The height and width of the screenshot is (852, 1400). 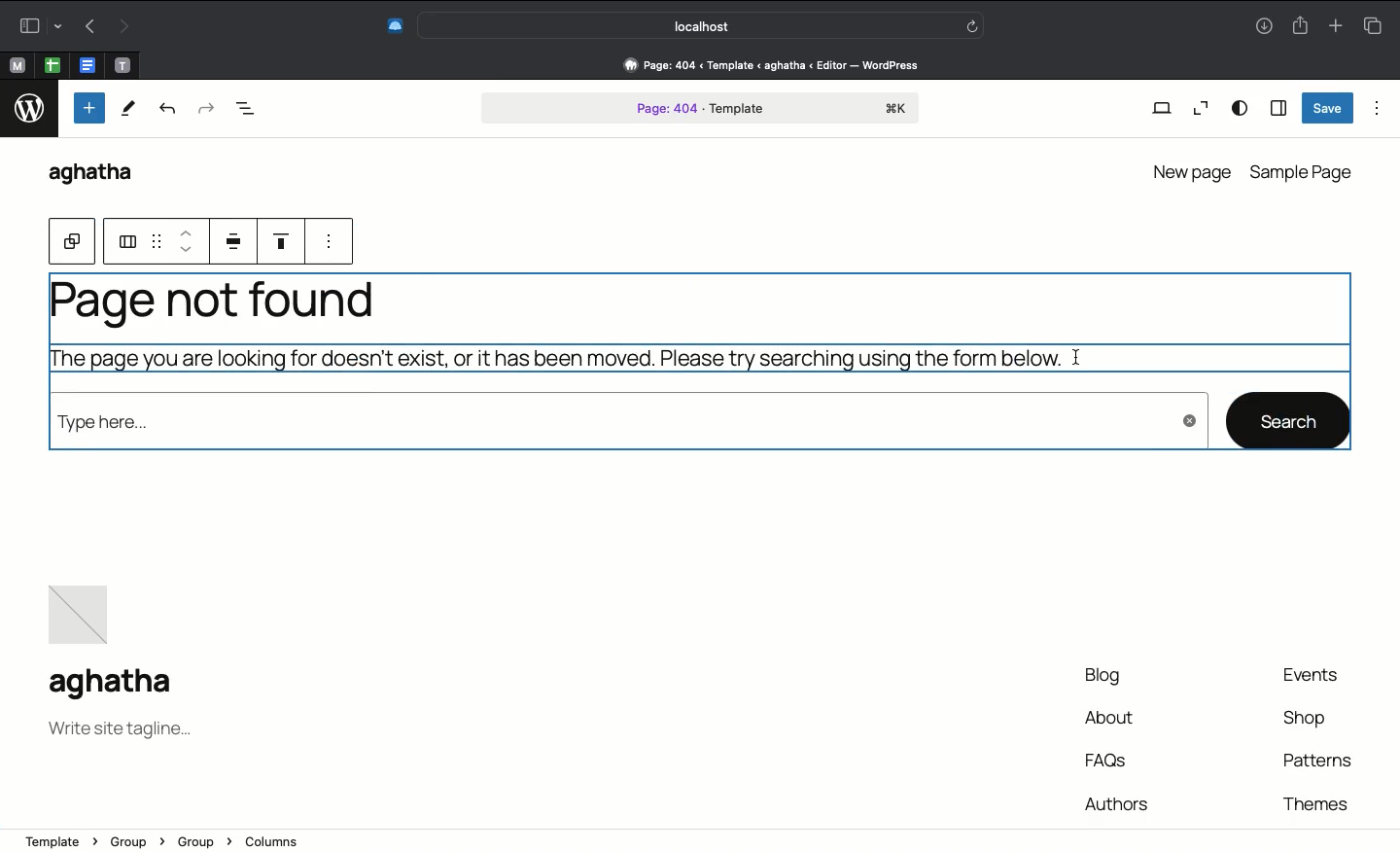 I want to click on Address, so click(x=761, y=65).